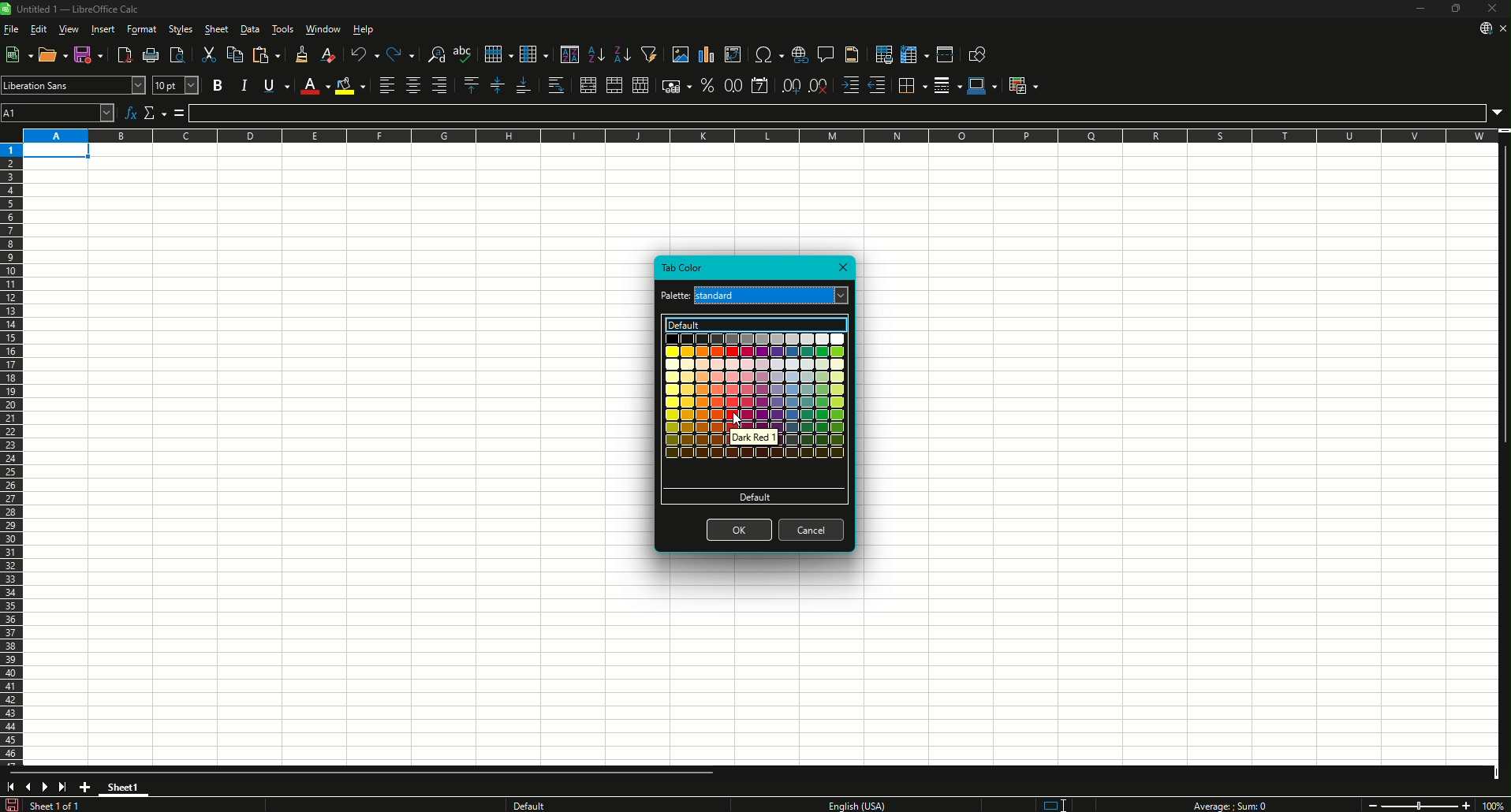 Image resolution: width=1511 pixels, height=812 pixels. I want to click on Background Color, so click(350, 85).